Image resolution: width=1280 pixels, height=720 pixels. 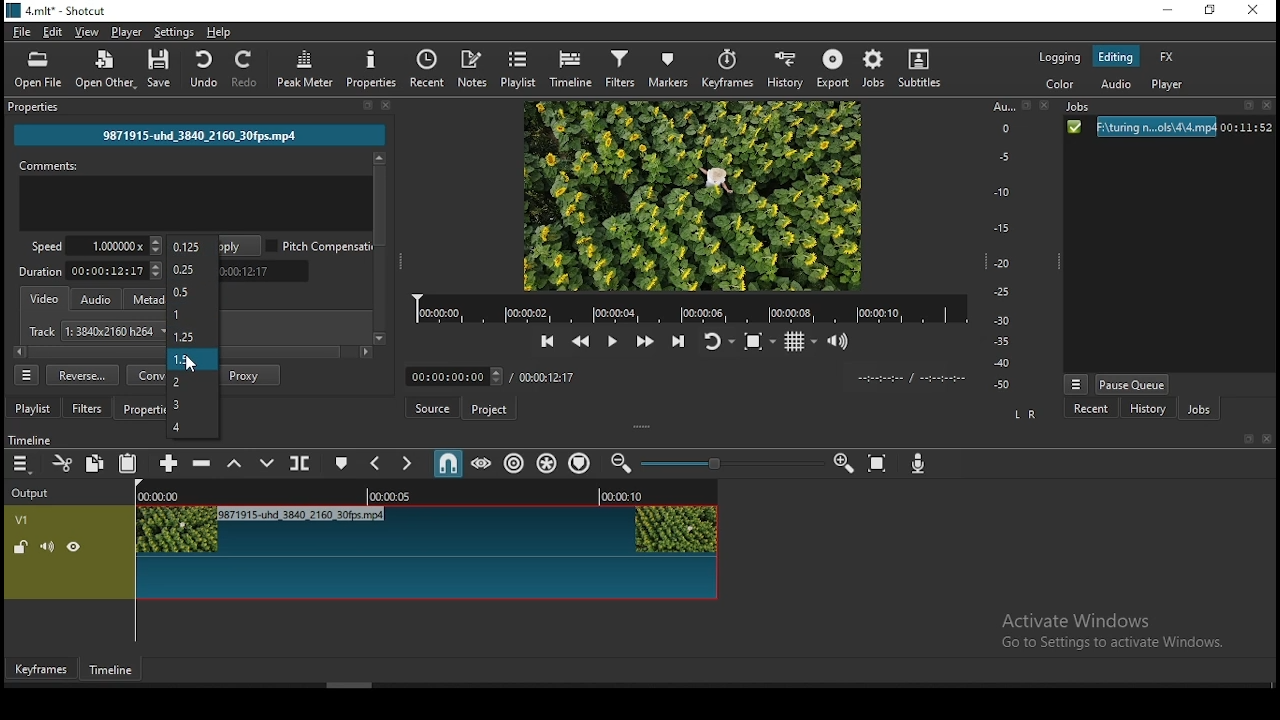 I want to click on copy, so click(x=95, y=464).